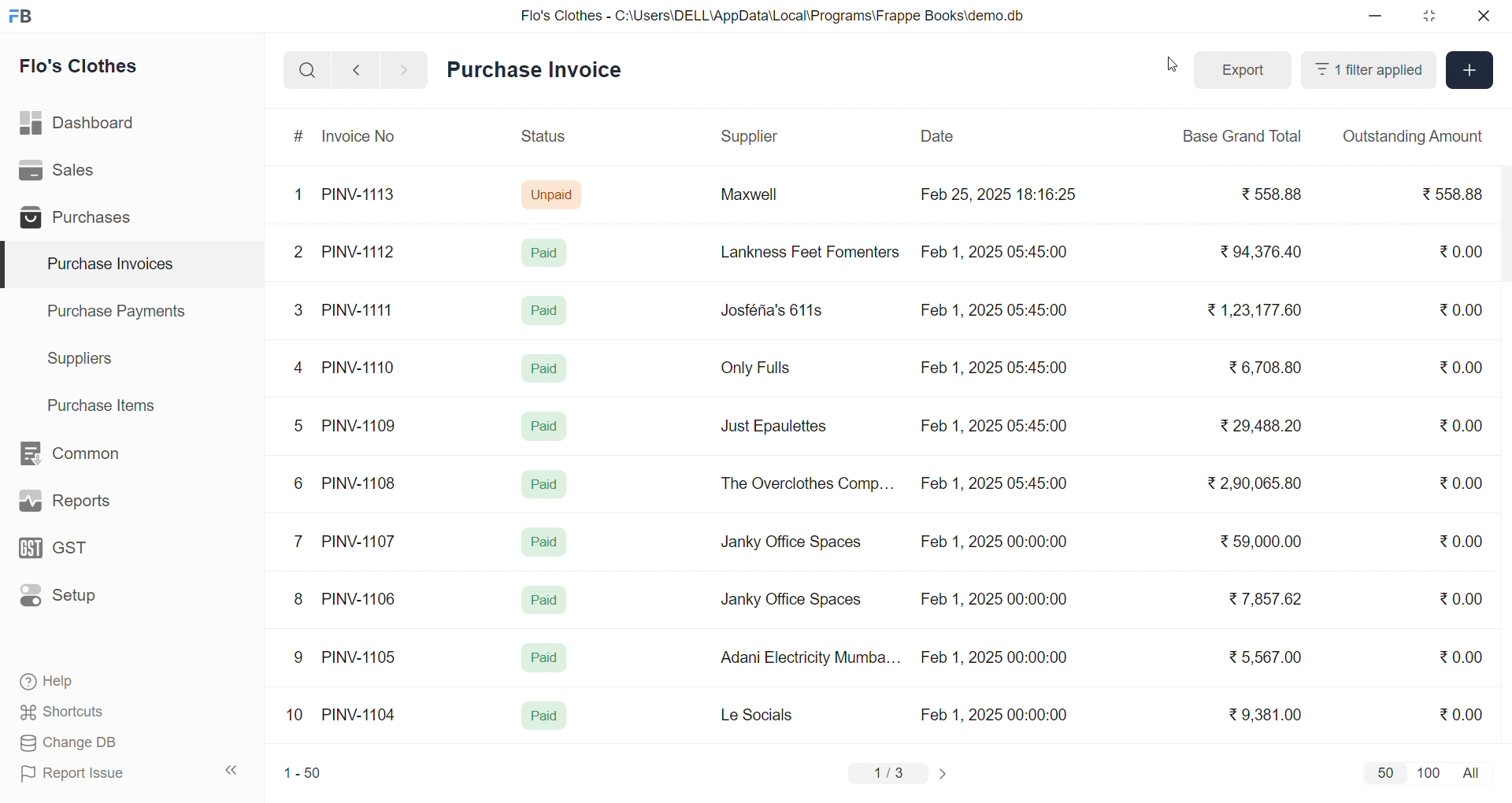 The height and width of the screenshot is (803, 1512). I want to click on 4, so click(302, 368).